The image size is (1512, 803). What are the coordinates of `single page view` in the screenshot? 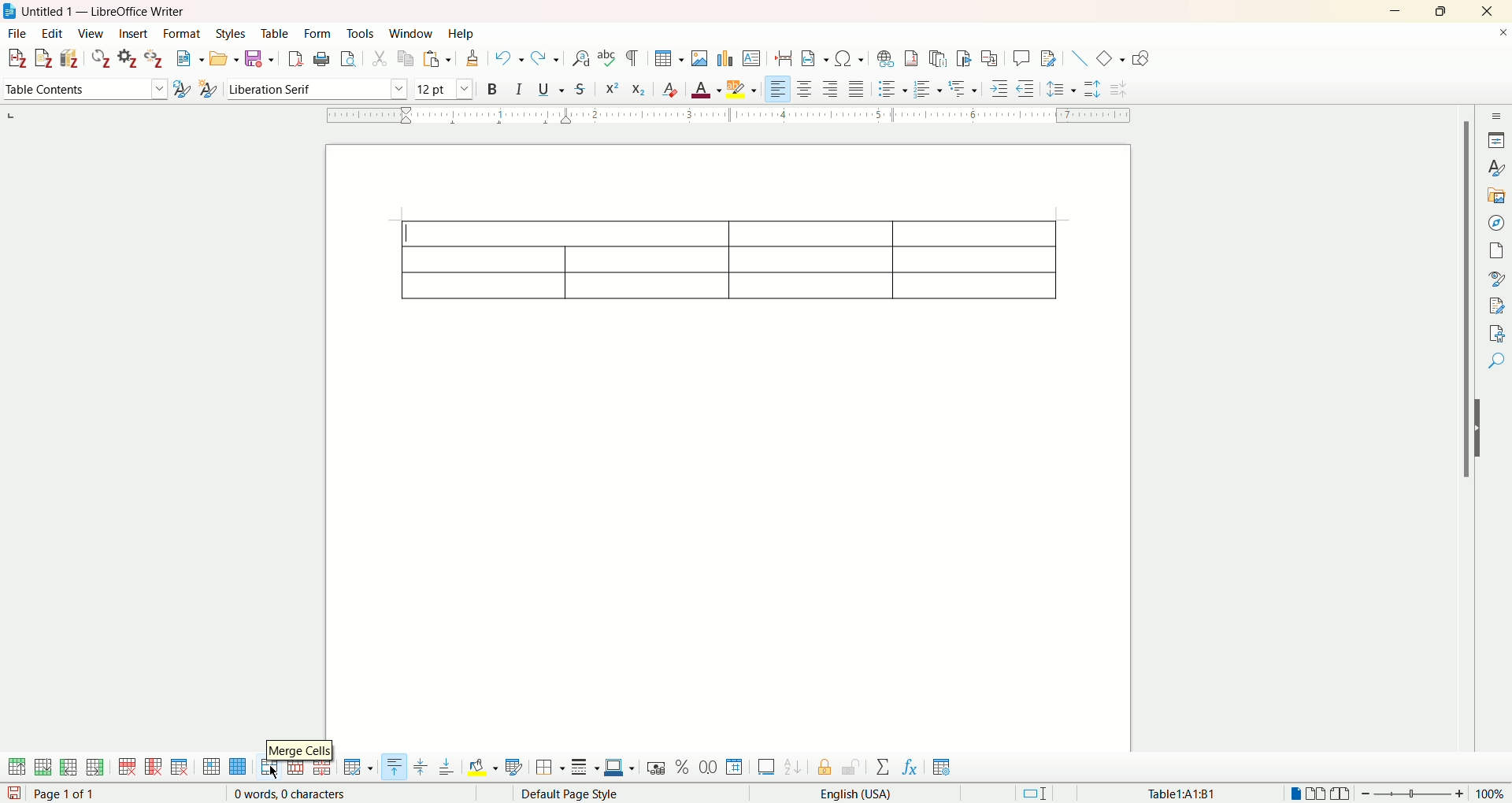 It's located at (1295, 793).